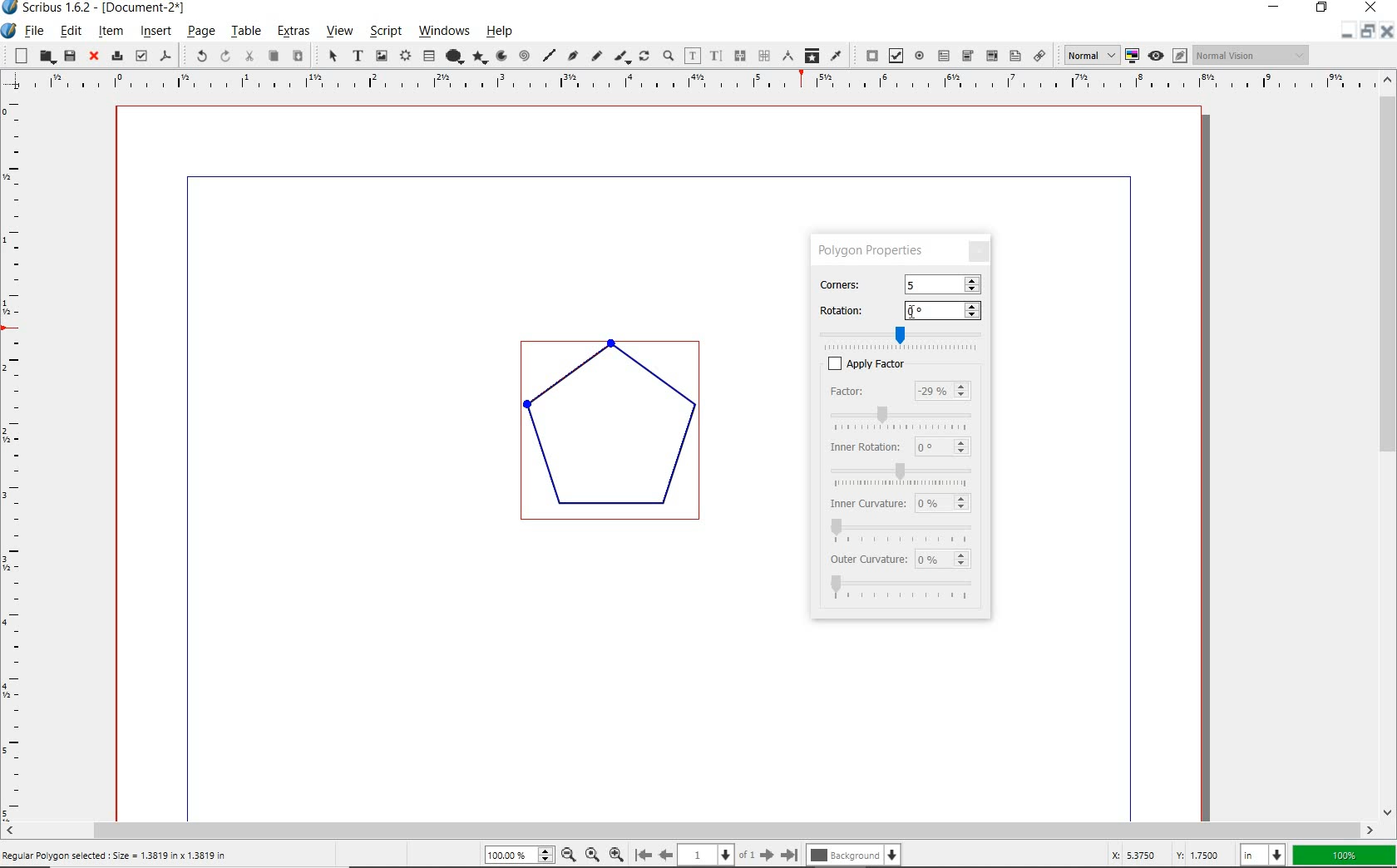  What do you see at coordinates (1198, 852) in the screenshot?
I see `v 1.8558` at bounding box center [1198, 852].